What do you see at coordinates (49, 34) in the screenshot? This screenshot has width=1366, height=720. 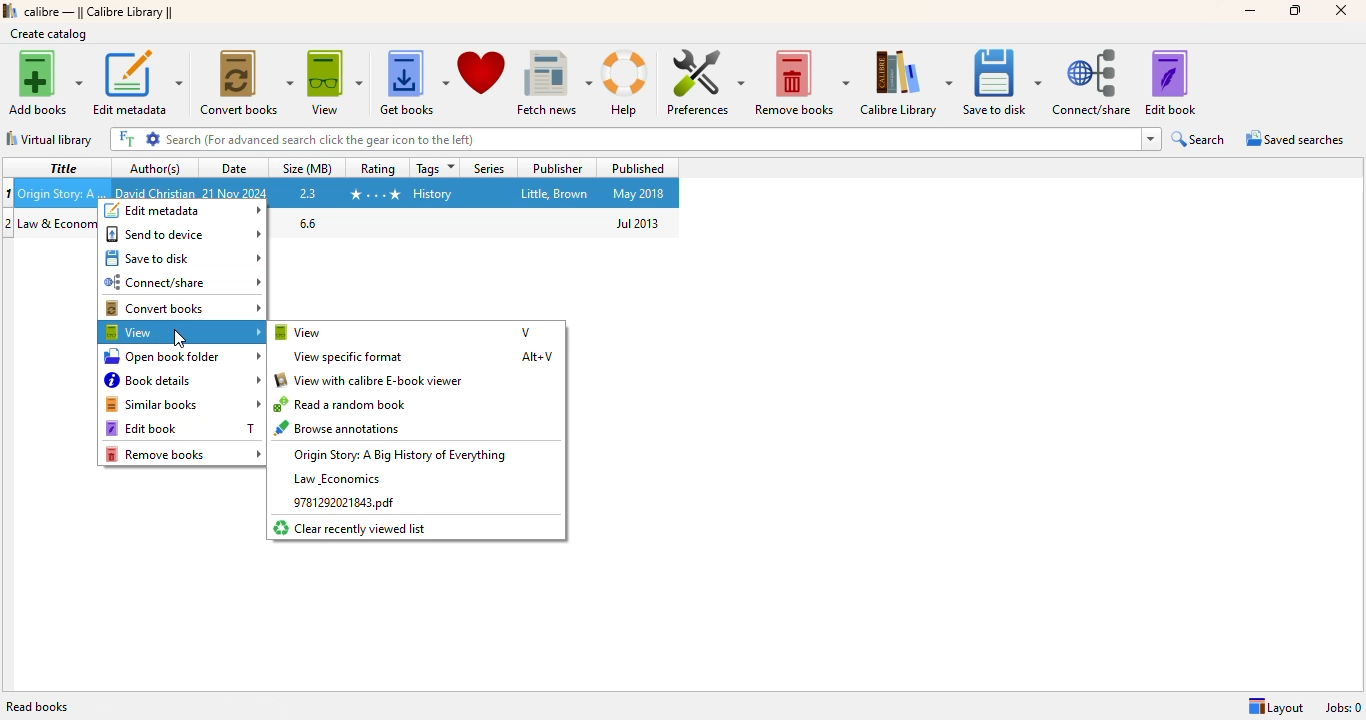 I see `create catalog` at bounding box center [49, 34].